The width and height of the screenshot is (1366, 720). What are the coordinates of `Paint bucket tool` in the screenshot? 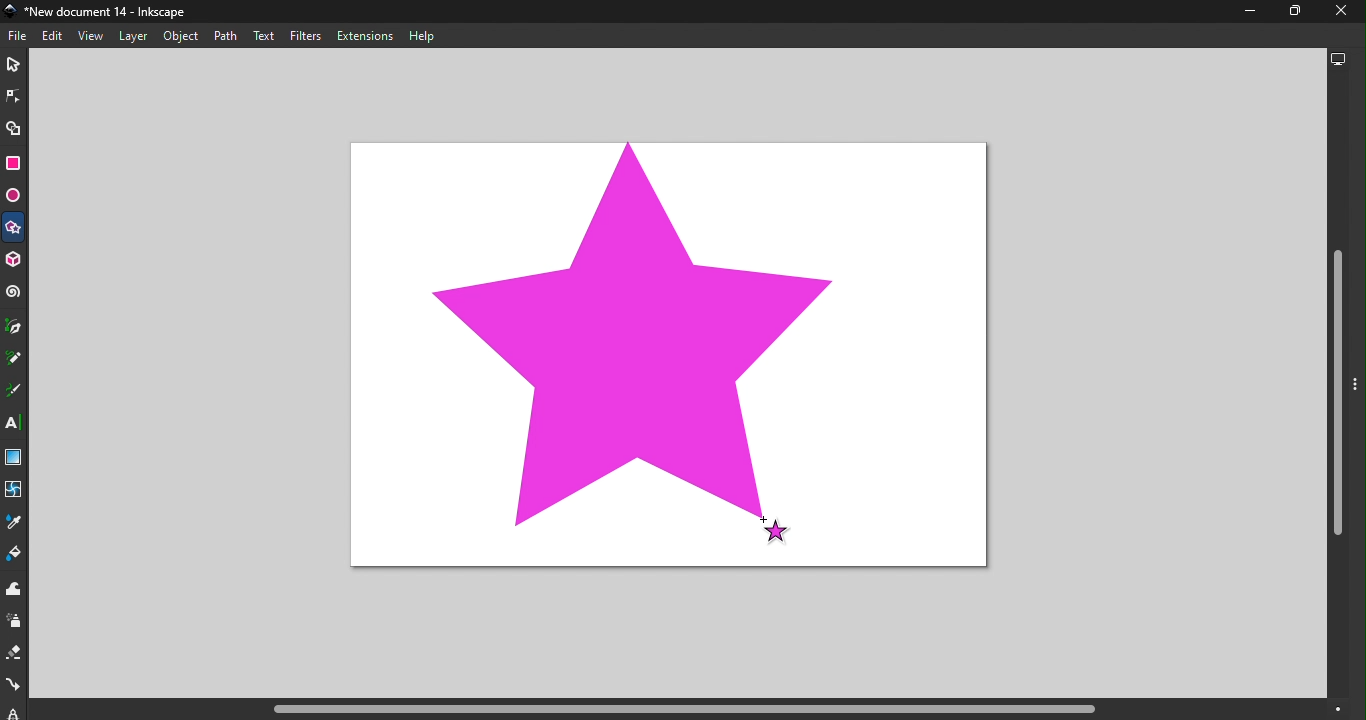 It's located at (15, 557).